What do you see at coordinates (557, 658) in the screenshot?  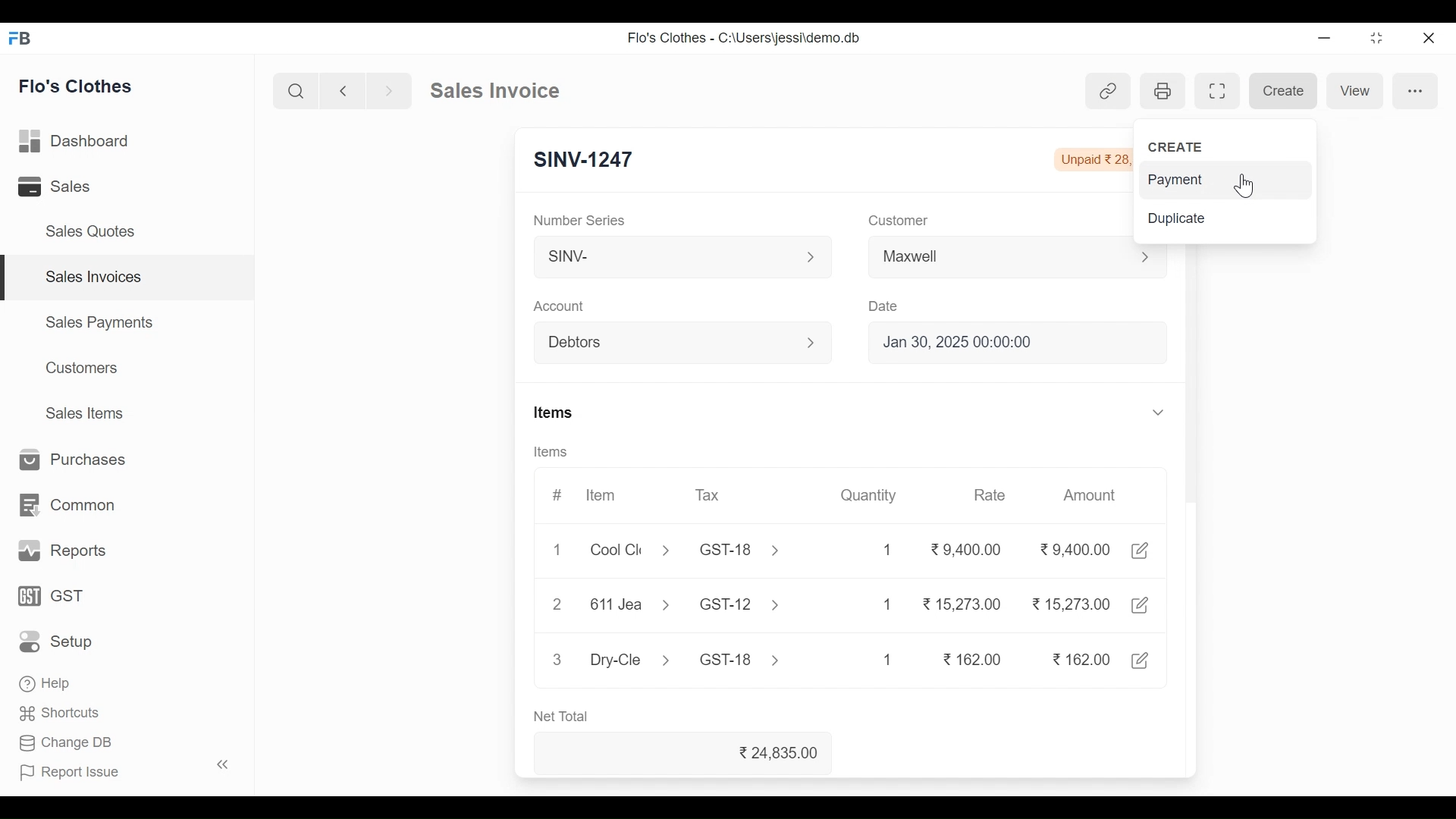 I see `3` at bounding box center [557, 658].